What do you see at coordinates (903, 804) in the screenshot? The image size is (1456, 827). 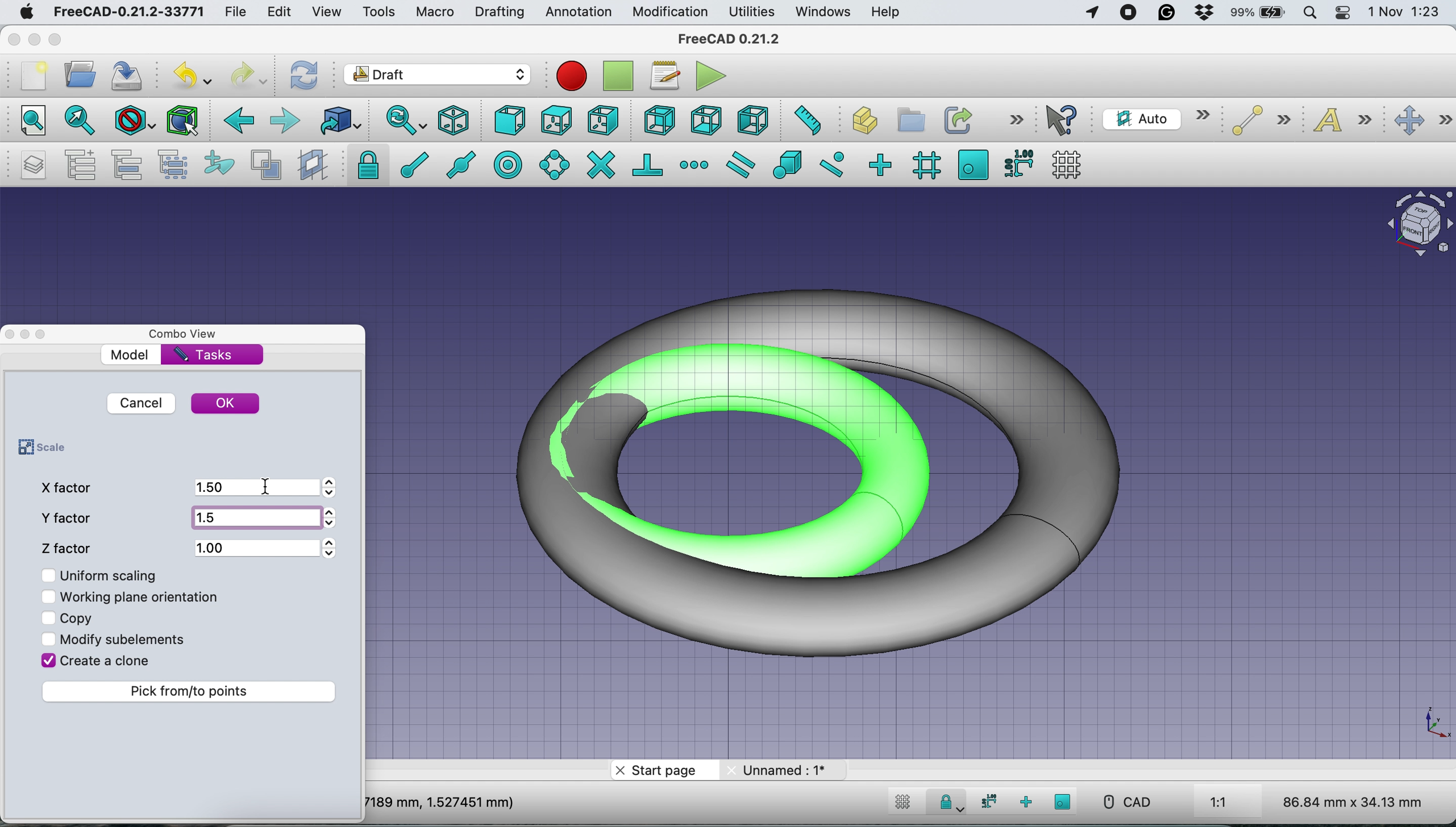 I see `toggle grid` at bounding box center [903, 804].